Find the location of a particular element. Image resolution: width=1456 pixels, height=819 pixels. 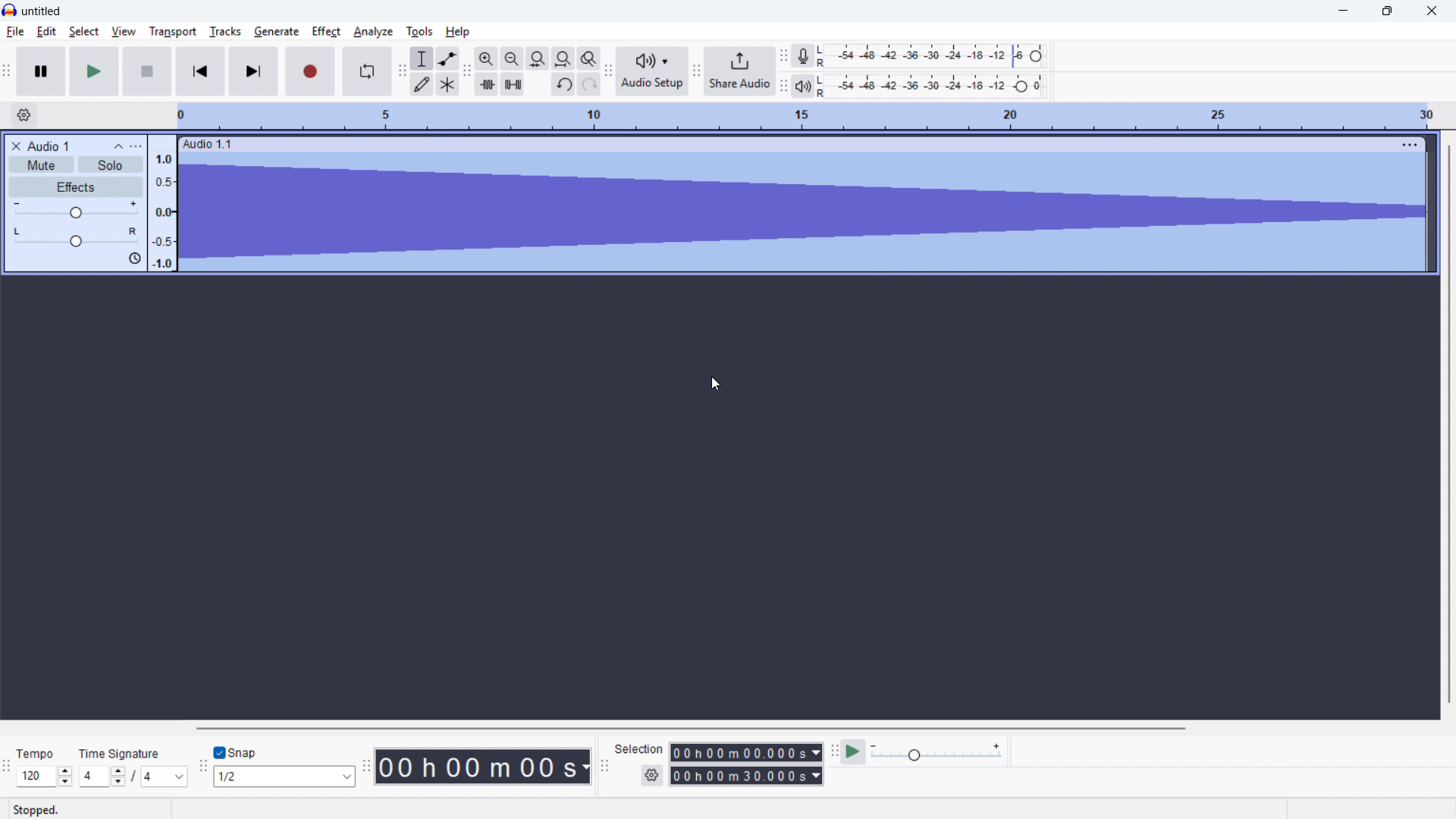

Transport toolbar is located at coordinates (7, 71).